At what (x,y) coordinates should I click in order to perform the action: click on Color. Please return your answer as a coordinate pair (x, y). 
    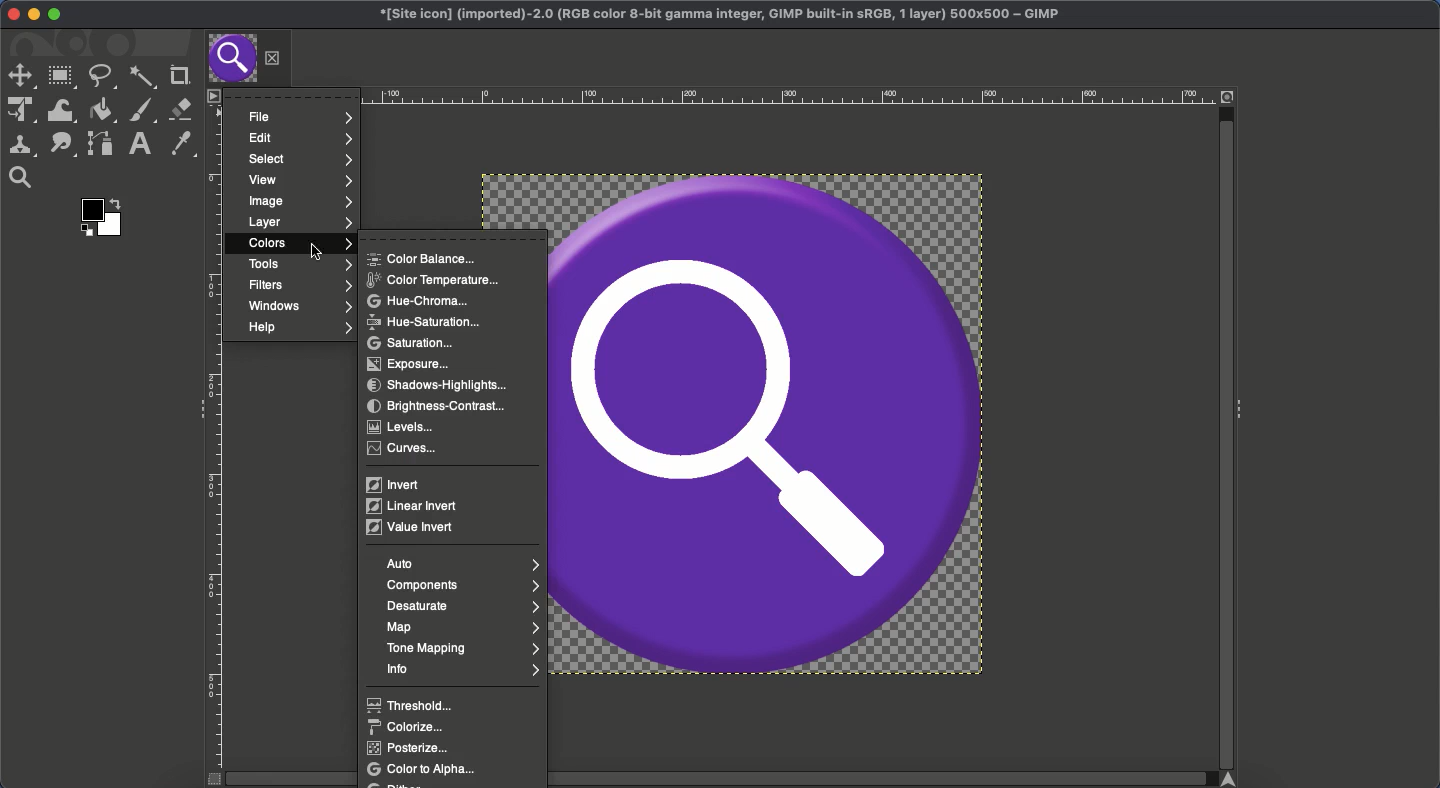
    Looking at the image, I should click on (103, 216).